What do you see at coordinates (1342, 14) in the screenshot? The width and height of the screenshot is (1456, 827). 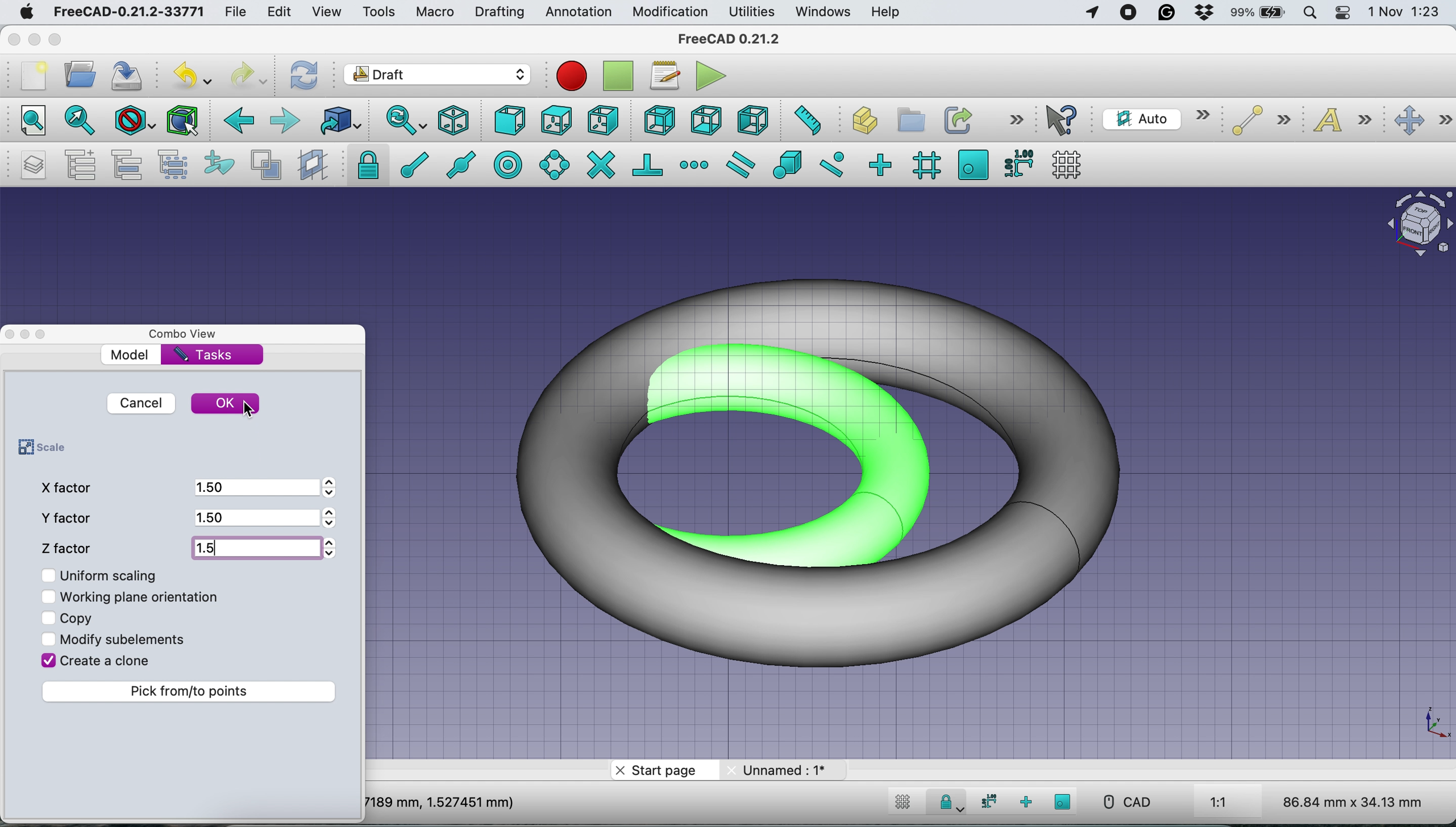 I see `control center` at bounding box center [1342, 14].